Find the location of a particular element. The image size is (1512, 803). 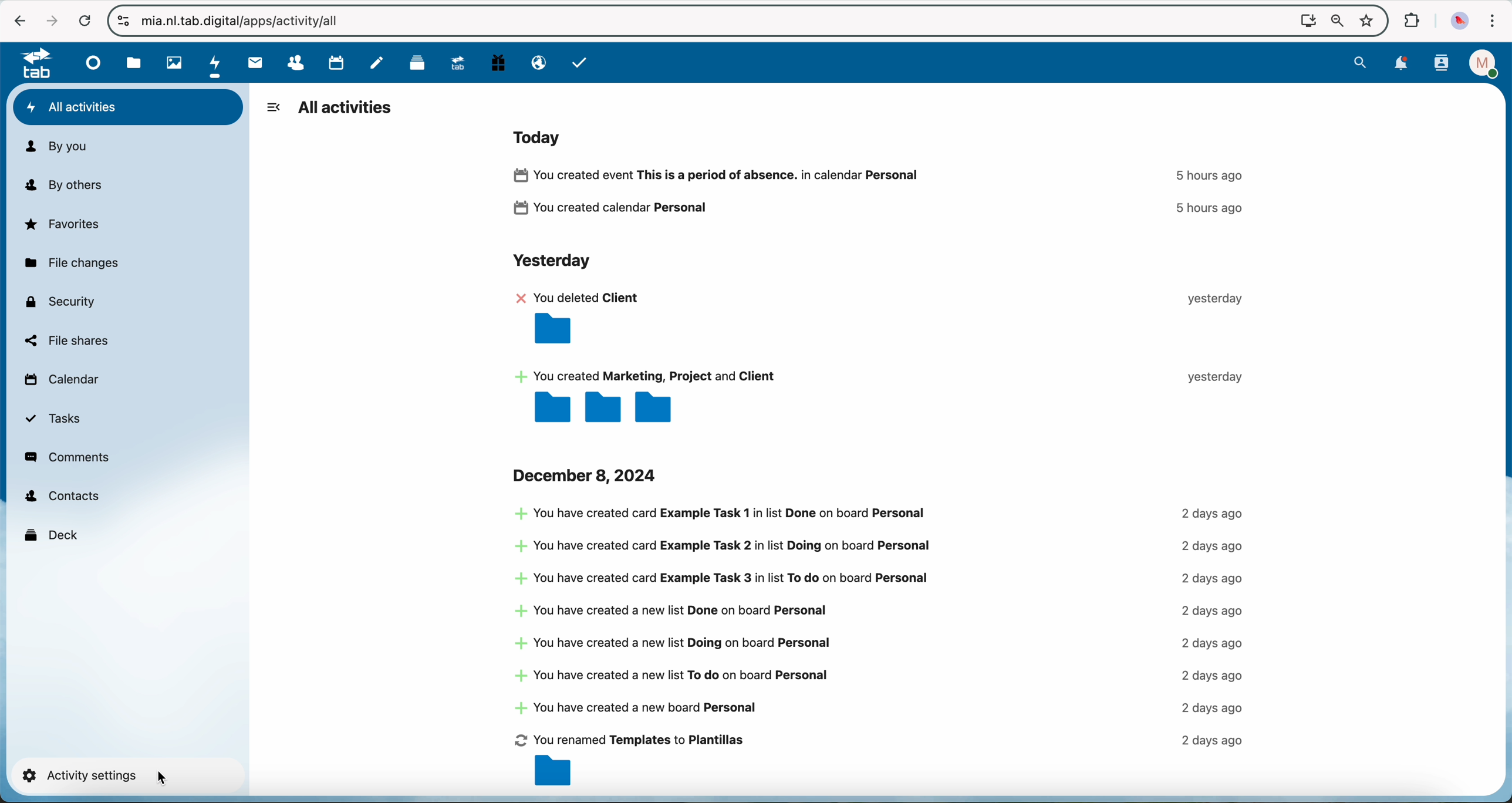

zoom out is located at coordinates (1336, 22).